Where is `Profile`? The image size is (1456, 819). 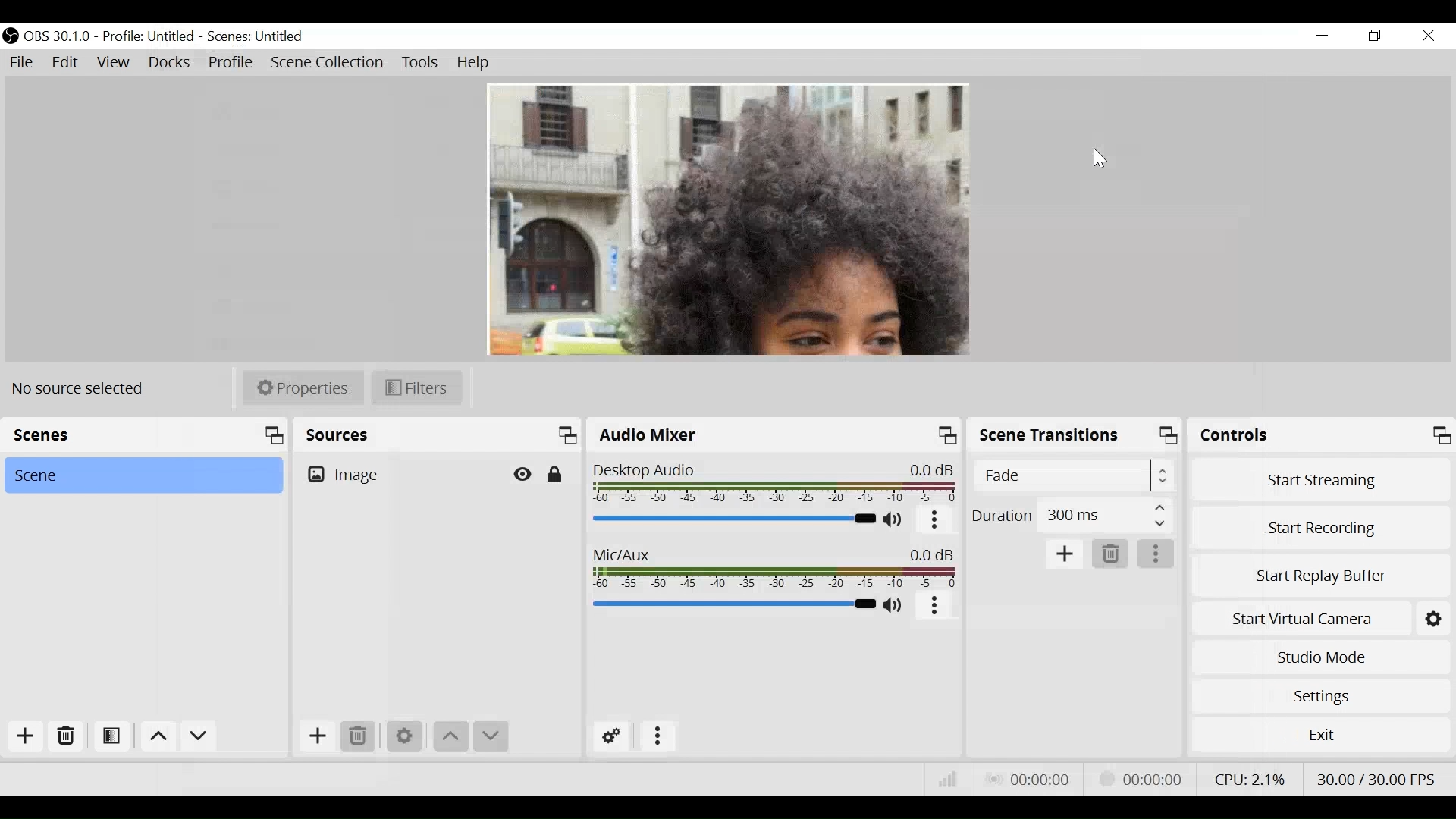
Profile is located at coordinates (230, 62).